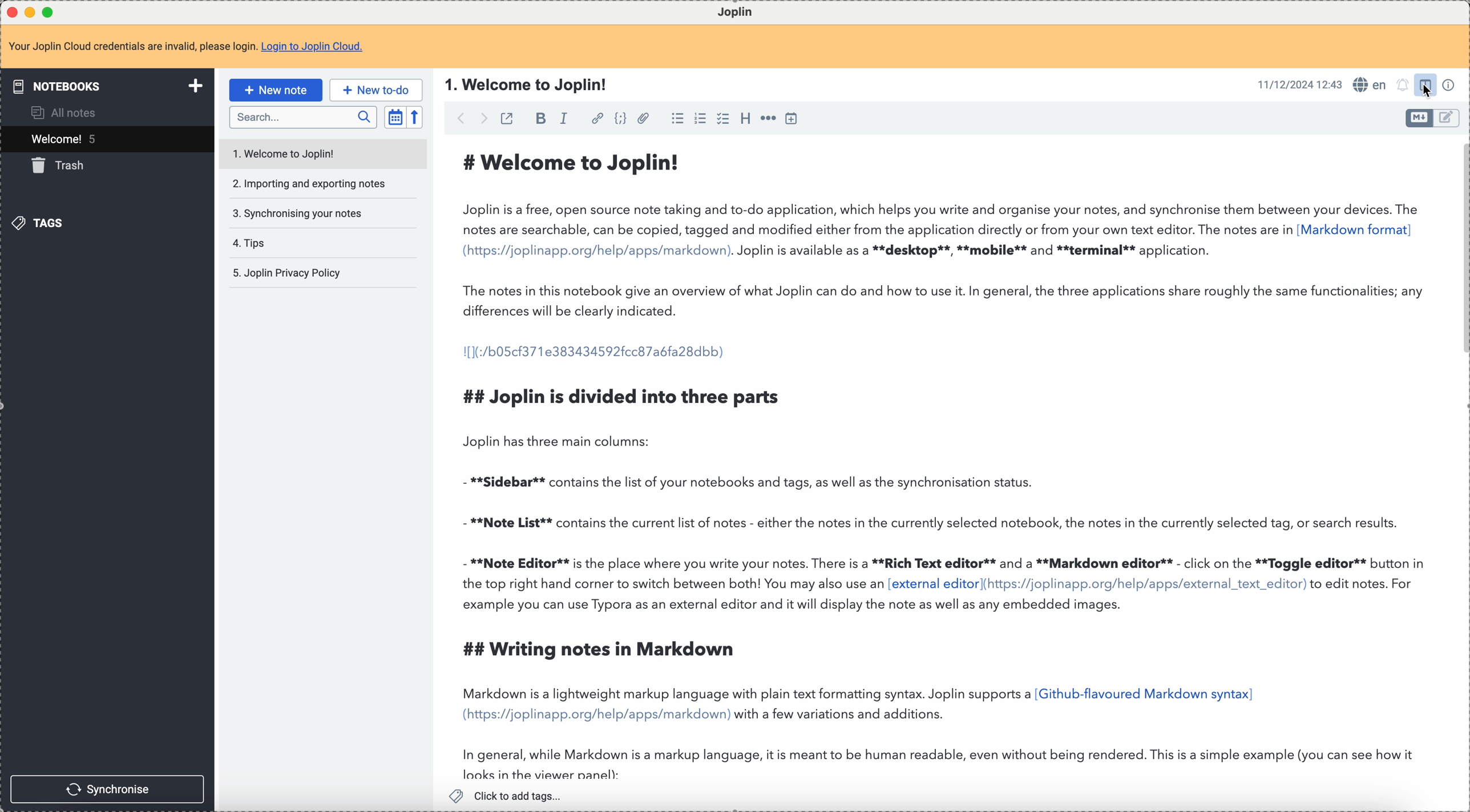 This screenshot has width=1470, height=812. I want to click on insert time, so click(791, 118).